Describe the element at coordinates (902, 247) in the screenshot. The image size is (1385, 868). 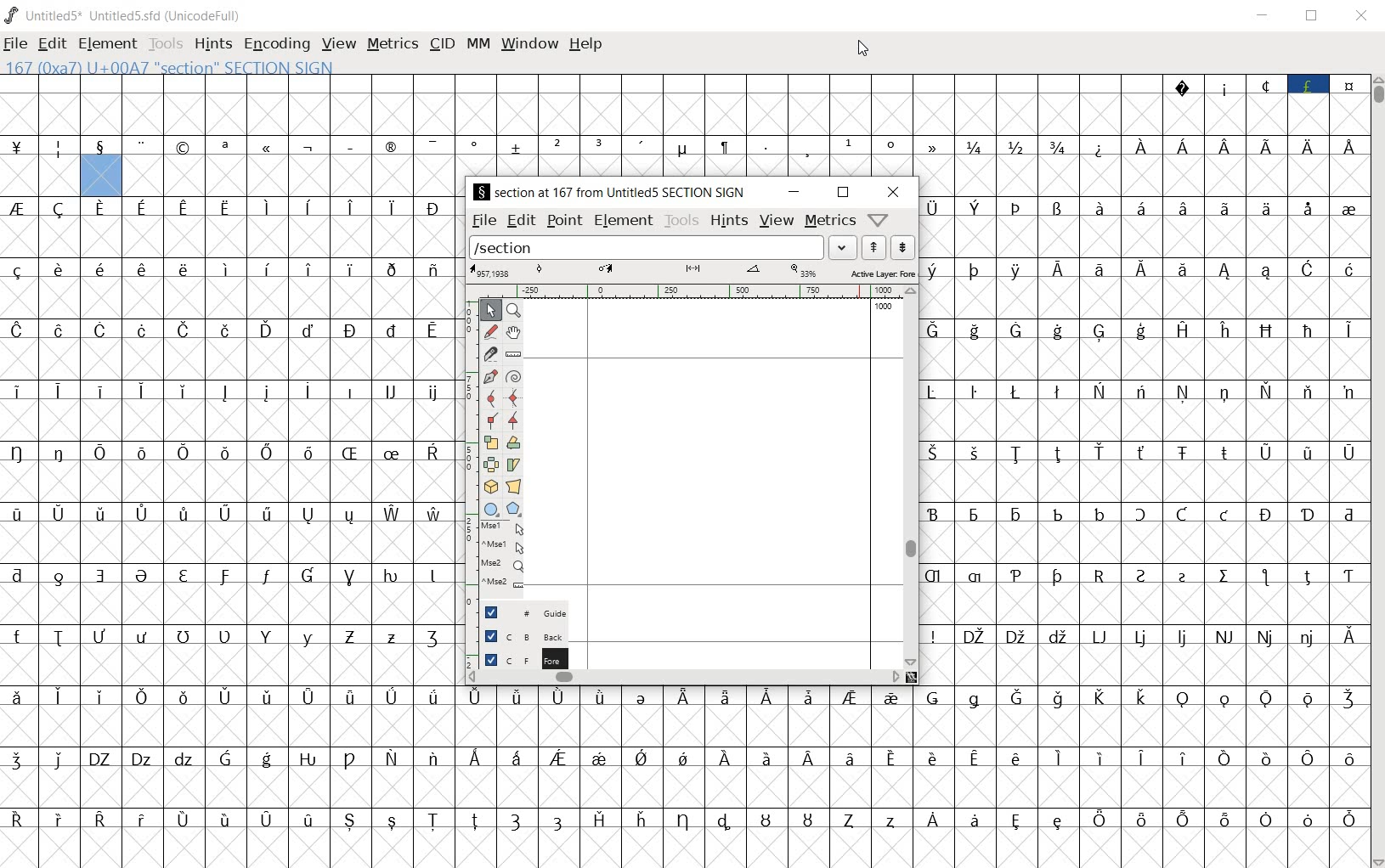
I see `show the previous word on the list` at that location.